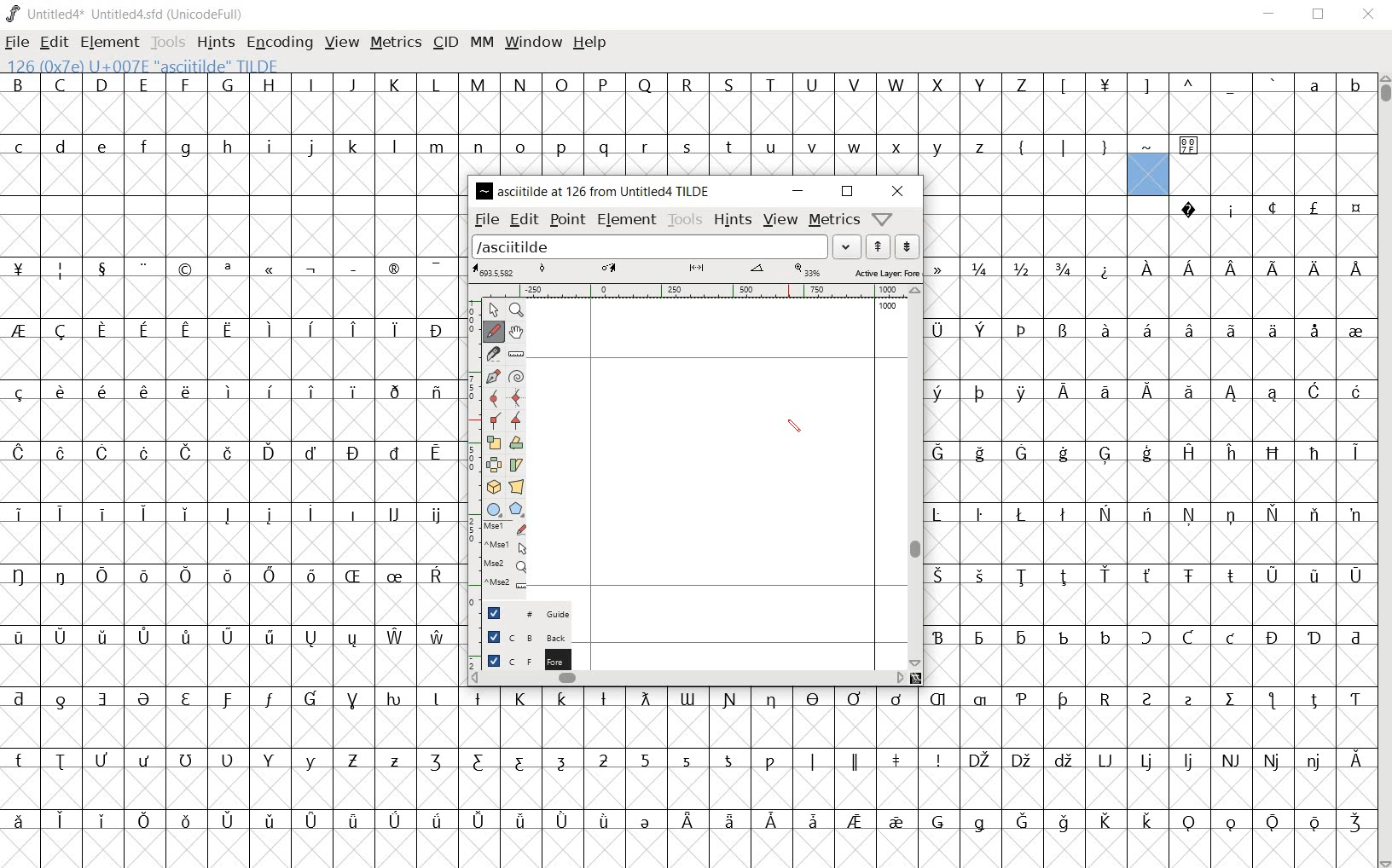 The image size is (1392, 868). Describe the element at coordinates (52, 42) in the screenshot. I see `EDIT` at that location.